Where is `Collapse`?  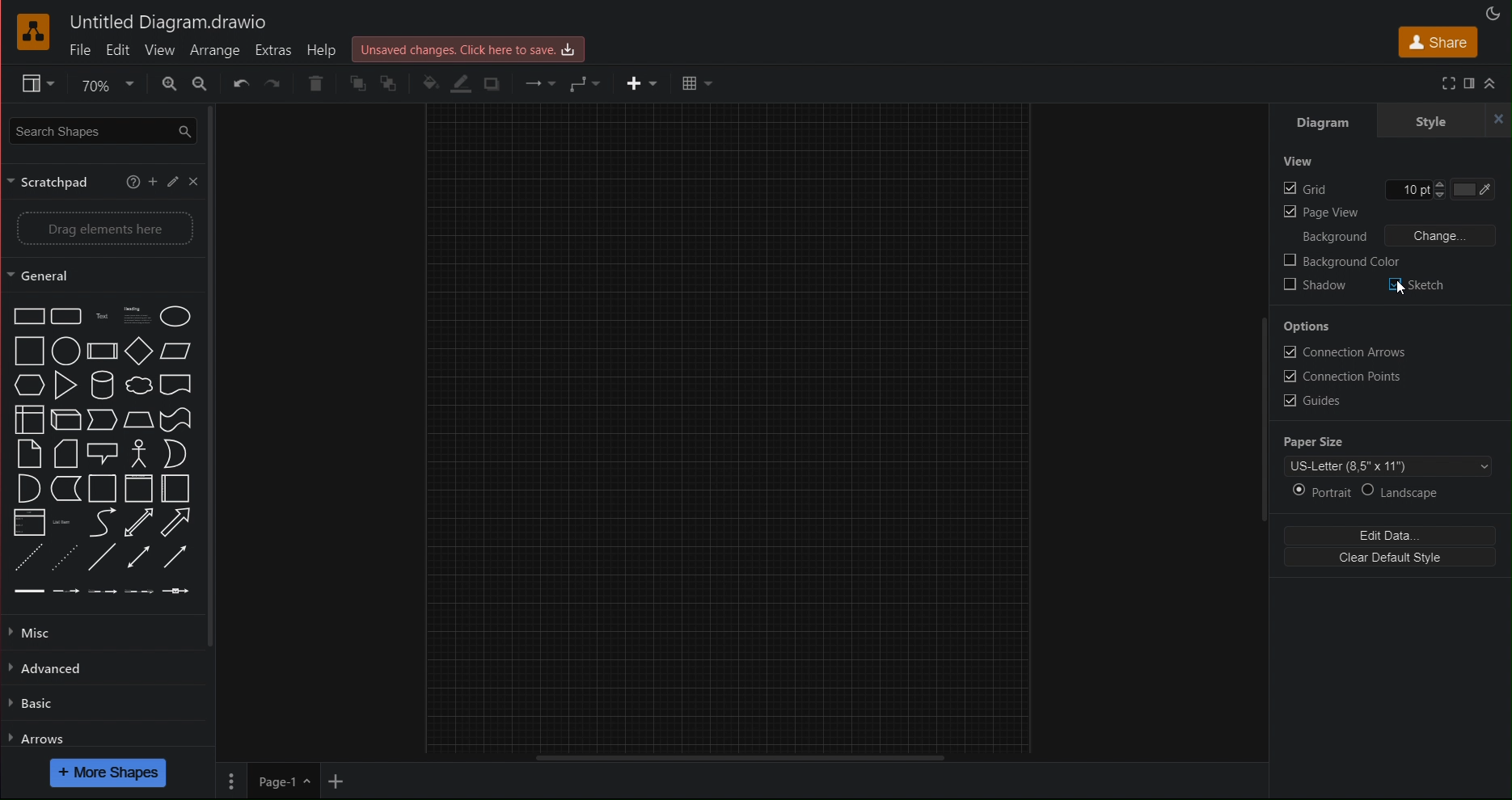
Collapse is located at coordinates (1493, 84).